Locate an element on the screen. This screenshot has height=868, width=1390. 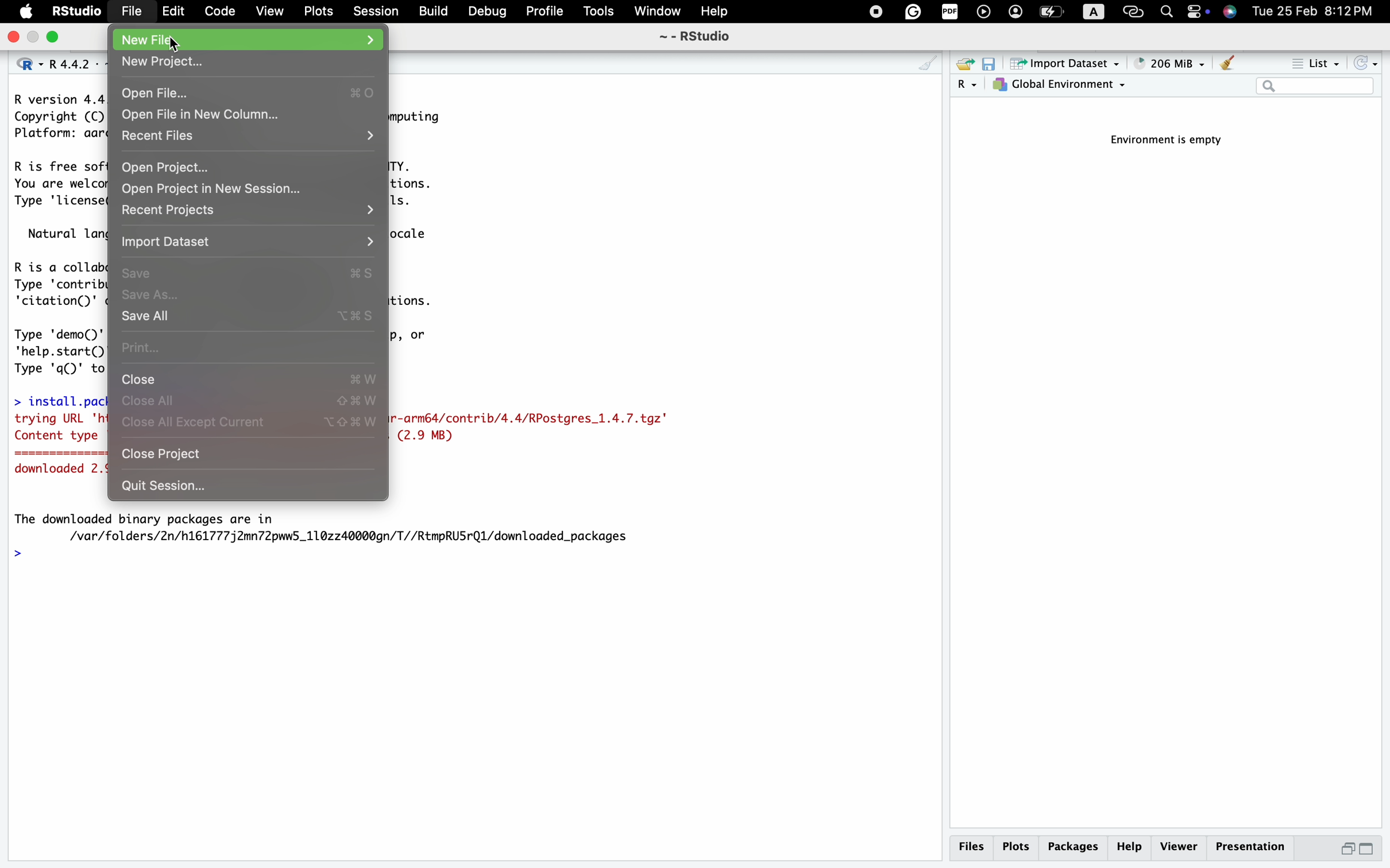
session is located at coordinates (376, 10).